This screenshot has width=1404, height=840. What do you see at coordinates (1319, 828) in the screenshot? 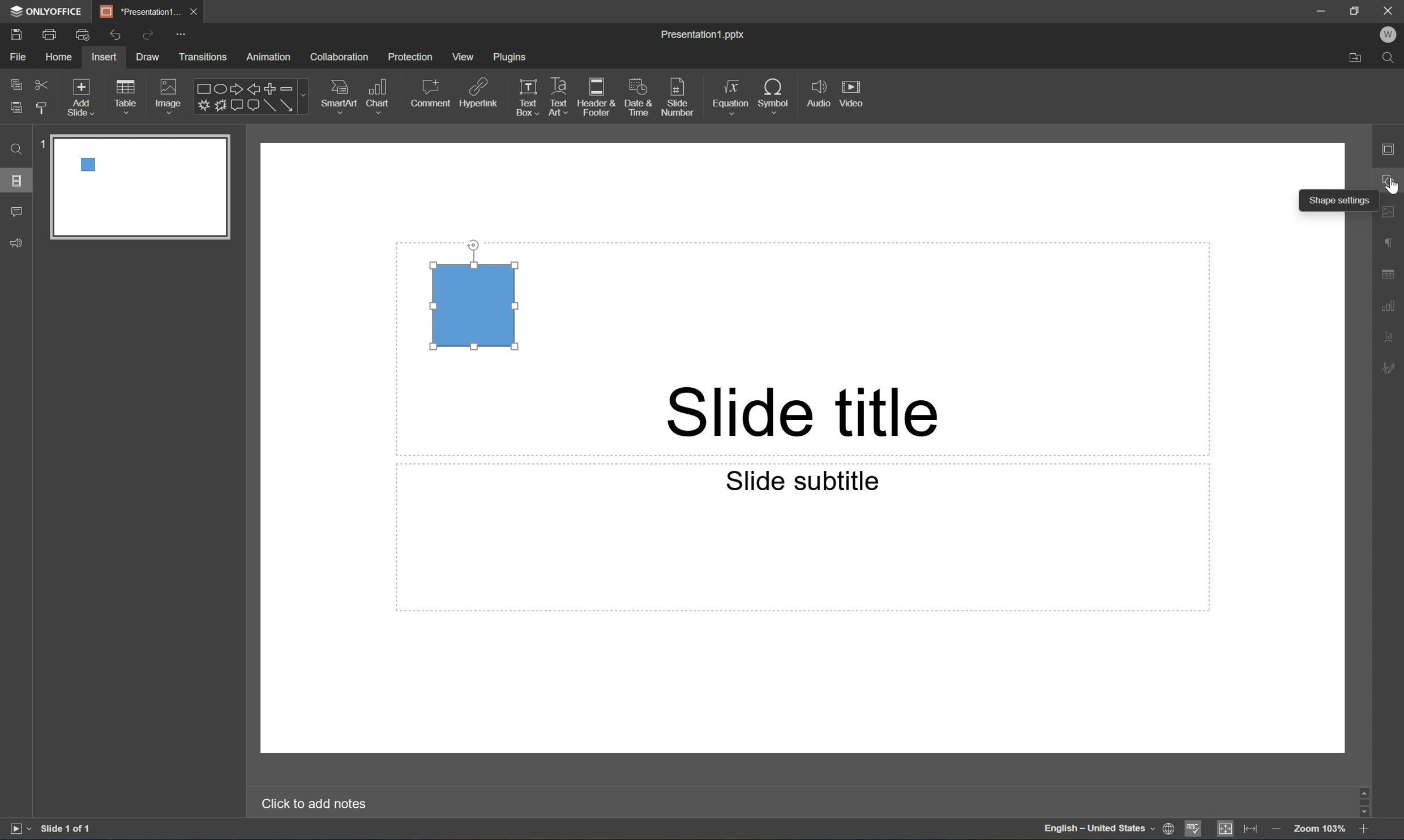
I see `Zoom 103%` at bounding box center [1319, 828].